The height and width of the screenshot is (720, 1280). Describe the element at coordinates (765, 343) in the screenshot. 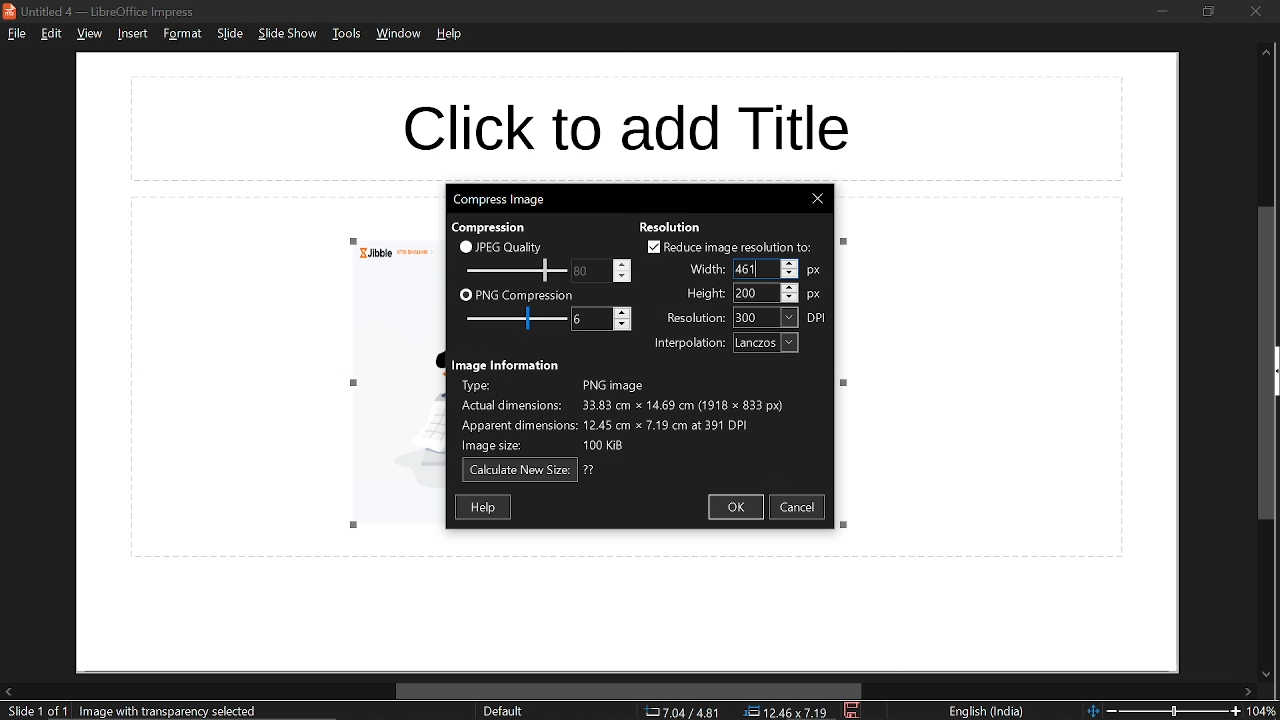

I see `interpolation` at that location.